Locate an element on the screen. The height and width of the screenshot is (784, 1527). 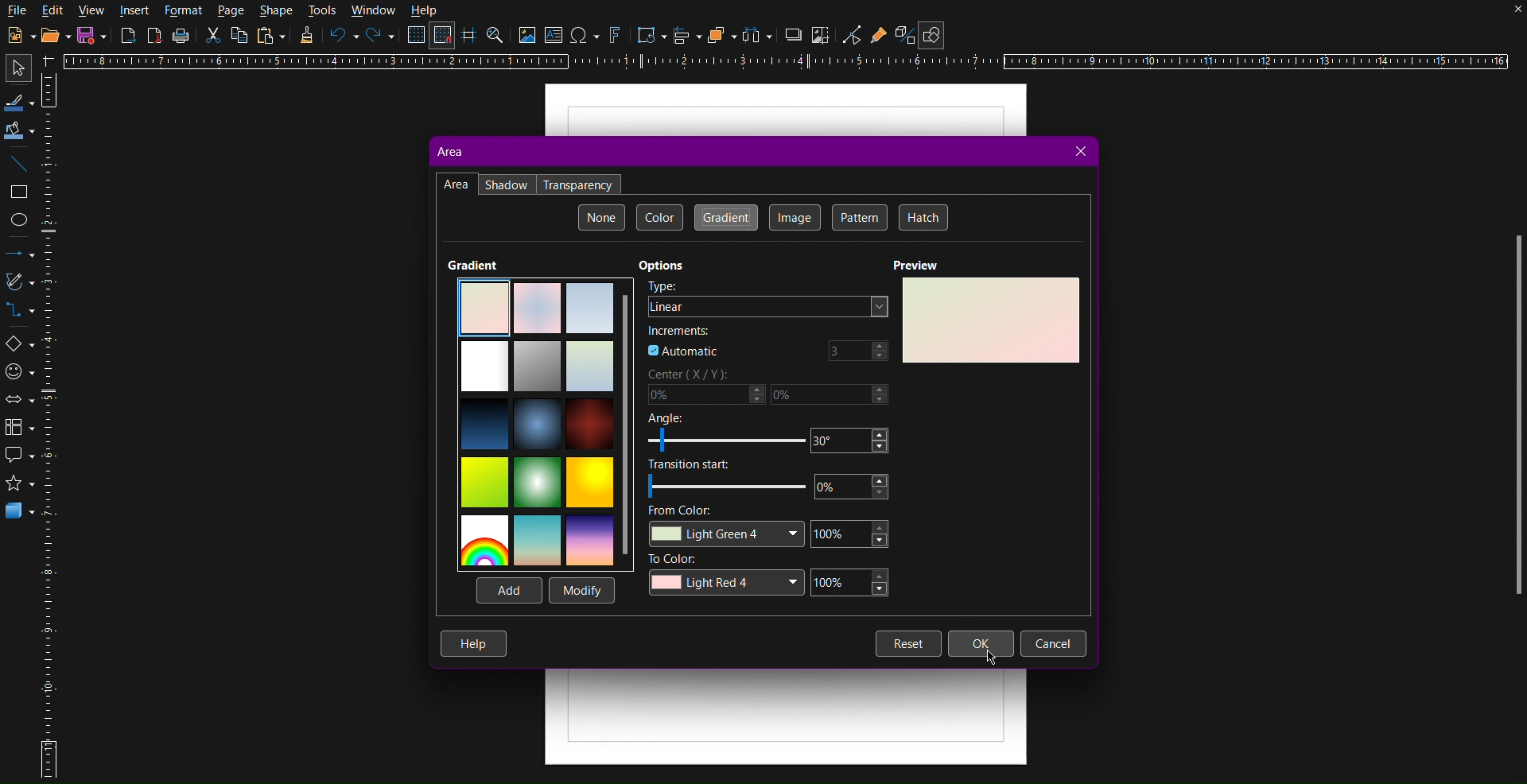
Pattern is located at coordinates (859, 216).